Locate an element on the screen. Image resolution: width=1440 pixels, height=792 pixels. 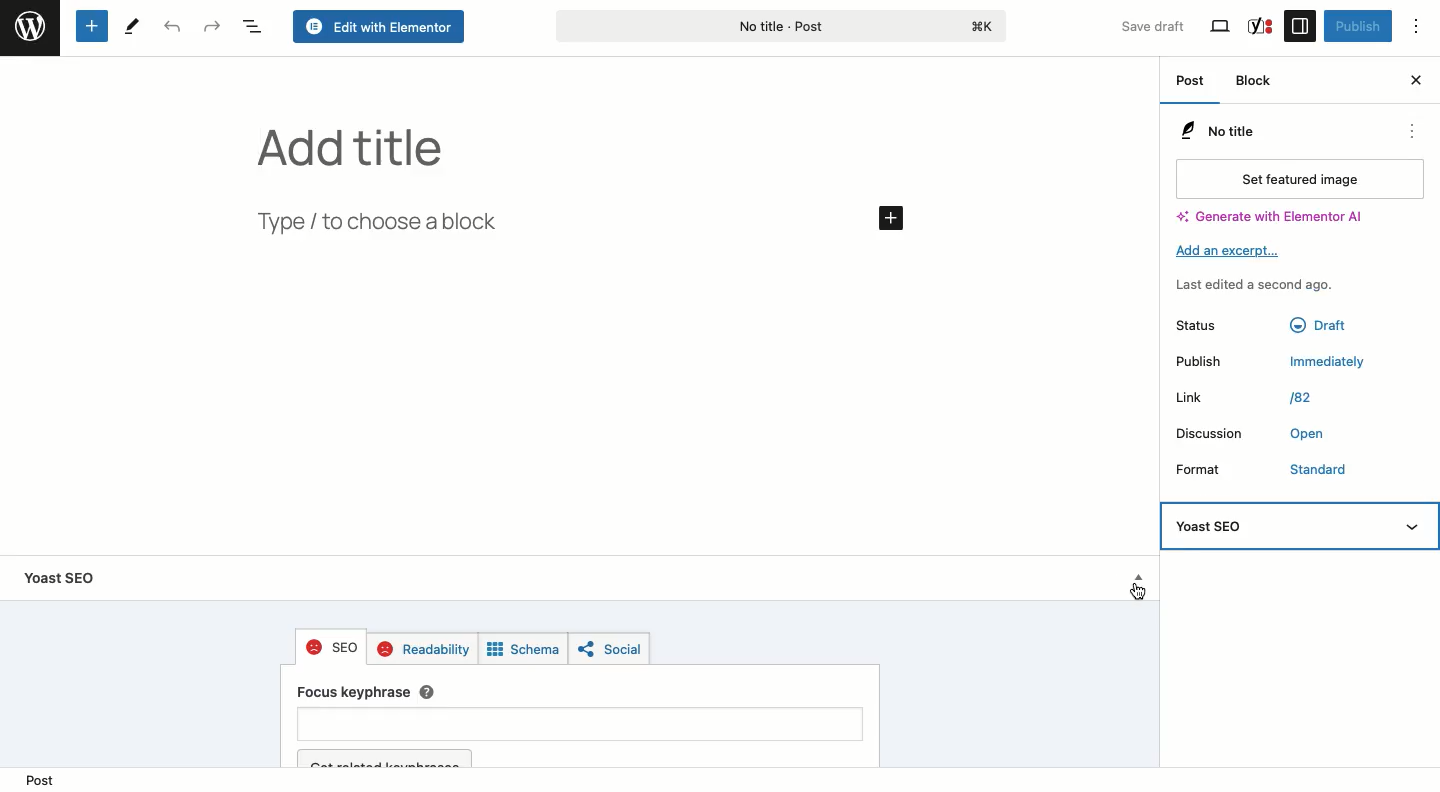
Undo is located at coordinates (170, 28).